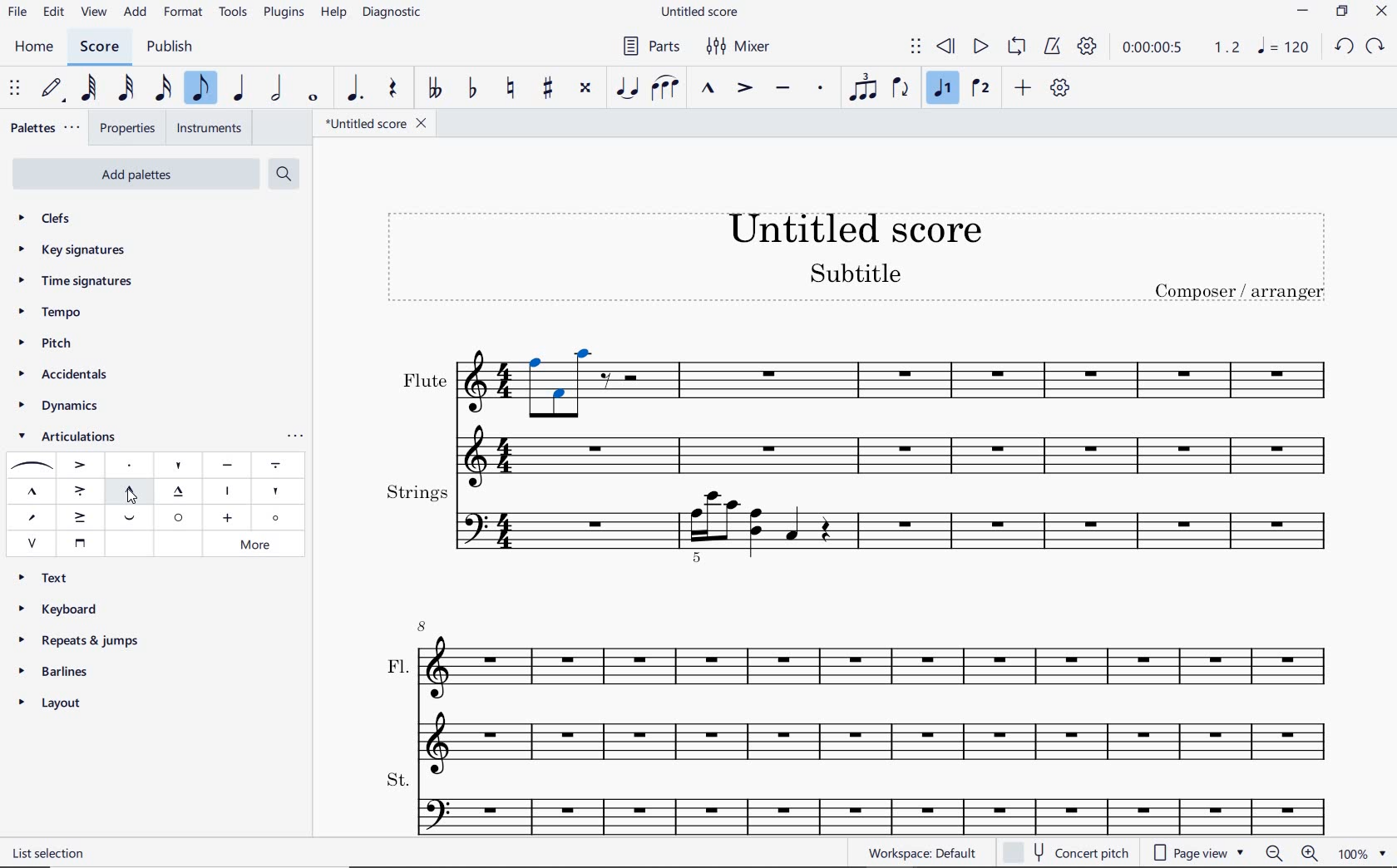 The width and height of the screenshot is (1397, 868). What do you see at coordinates (284, 173) in the screenshot?
I see `search palettes` at bounding box center [284, 173].